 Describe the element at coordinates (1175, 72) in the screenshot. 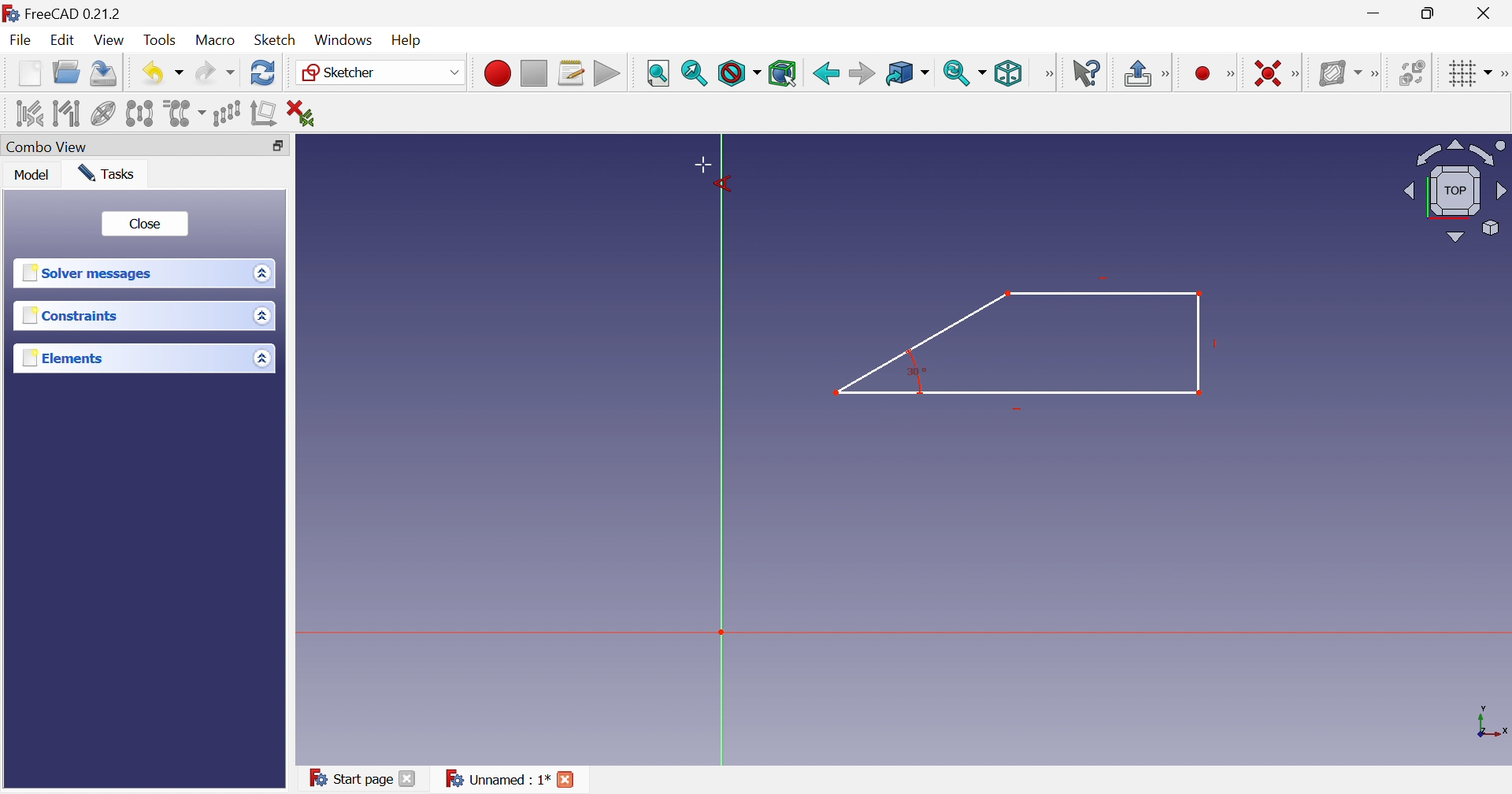

I see `constraint point onto object` at that location.